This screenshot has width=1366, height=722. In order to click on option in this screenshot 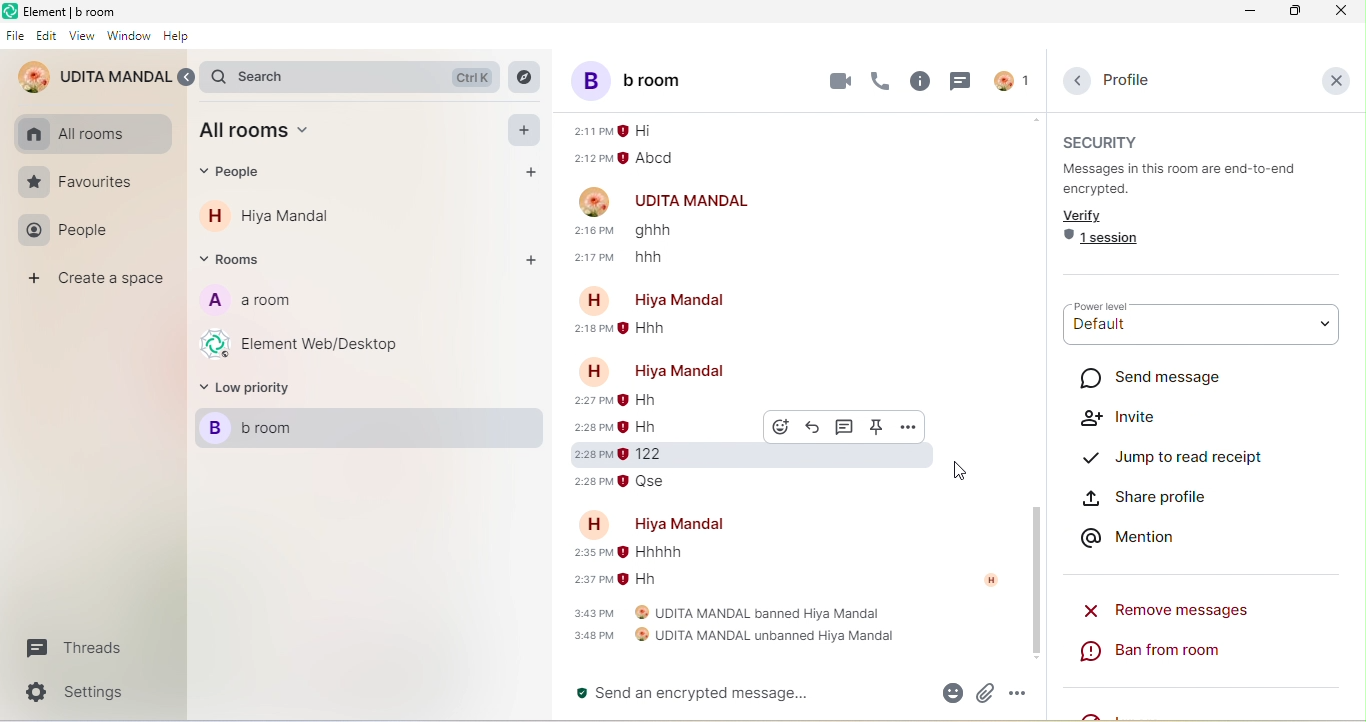, I will do `click(1018, 694)`.